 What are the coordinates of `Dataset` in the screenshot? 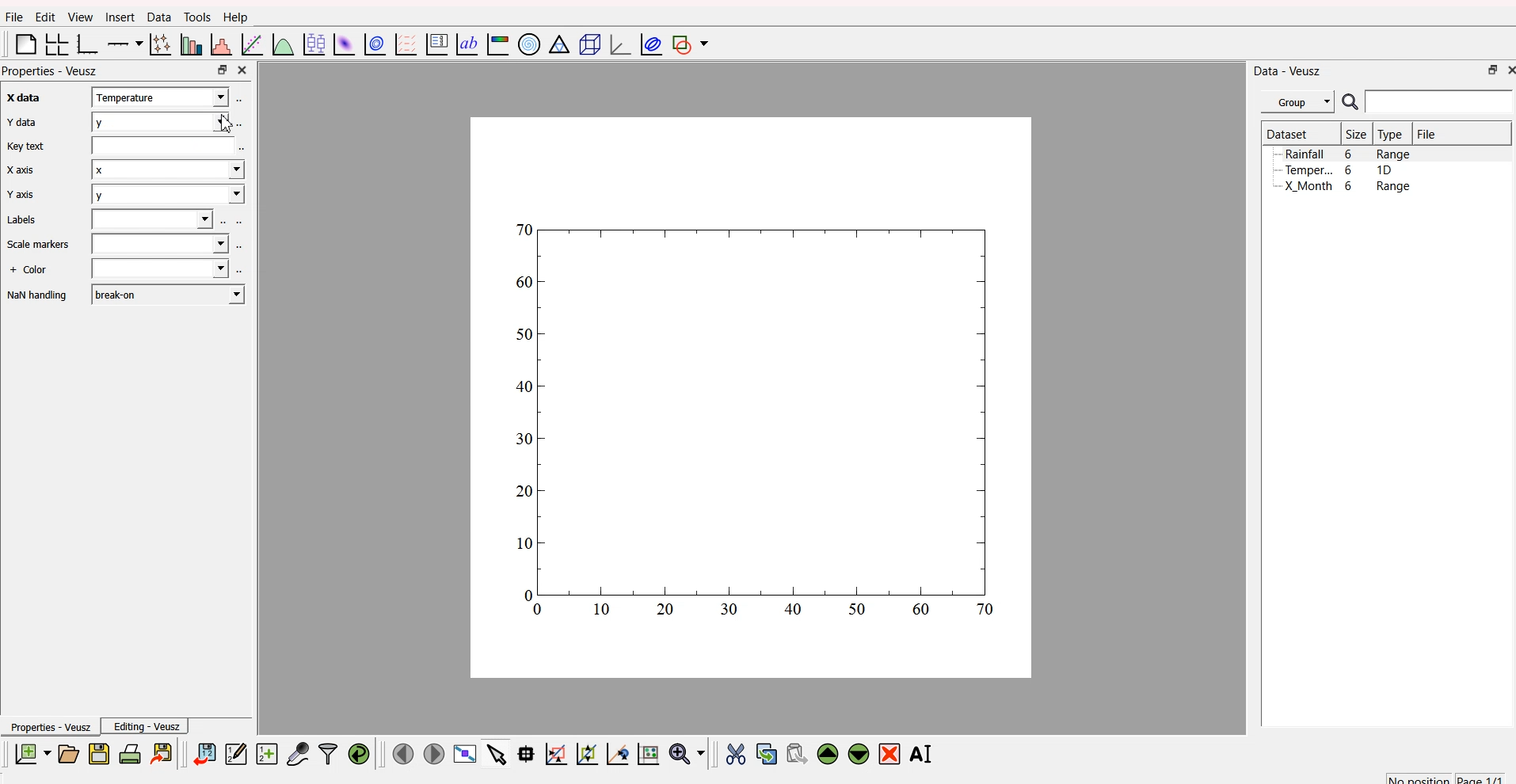 It's located at (1287, 133).